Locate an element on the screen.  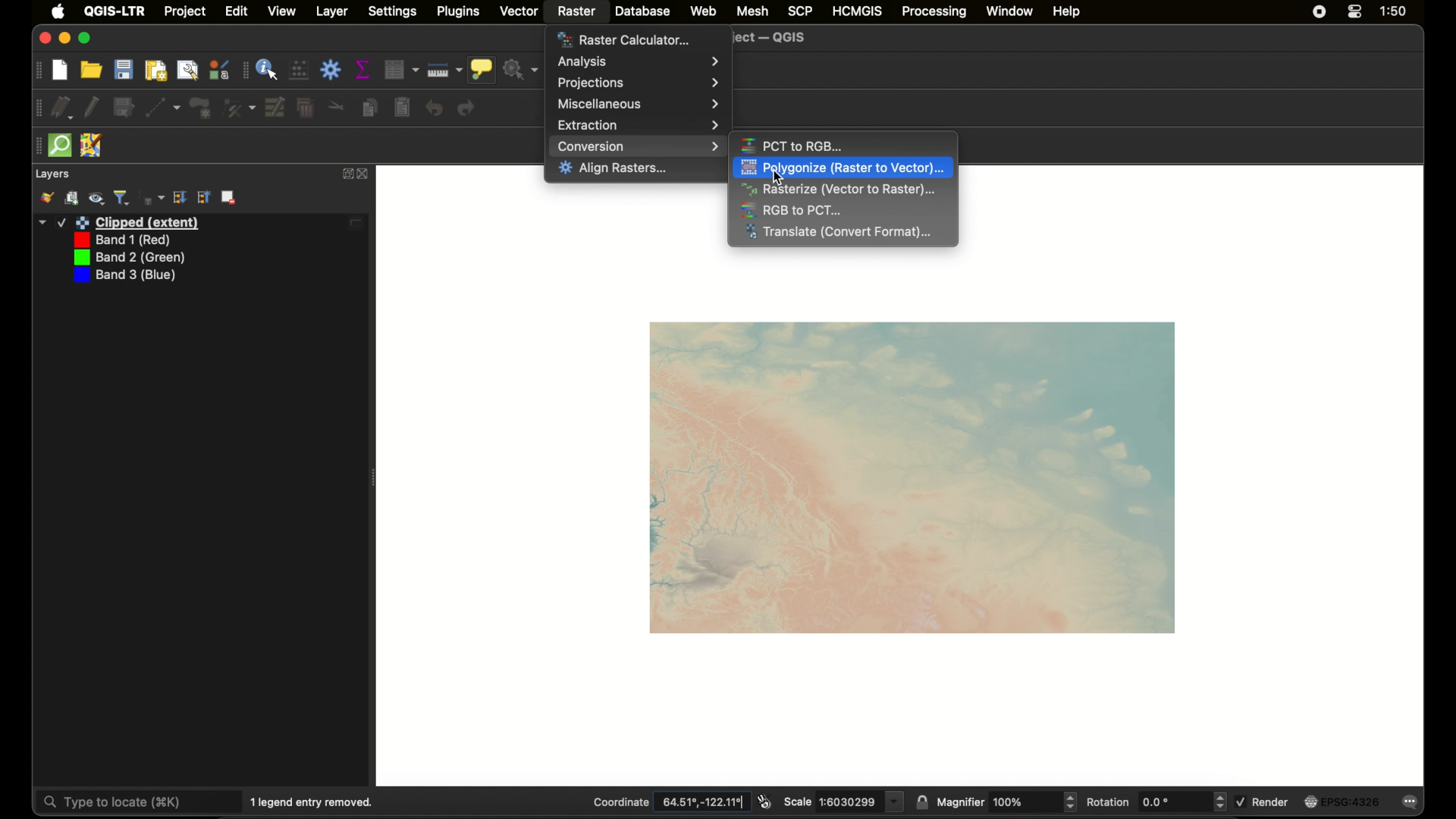
help is located at coordinates (1066, 12).